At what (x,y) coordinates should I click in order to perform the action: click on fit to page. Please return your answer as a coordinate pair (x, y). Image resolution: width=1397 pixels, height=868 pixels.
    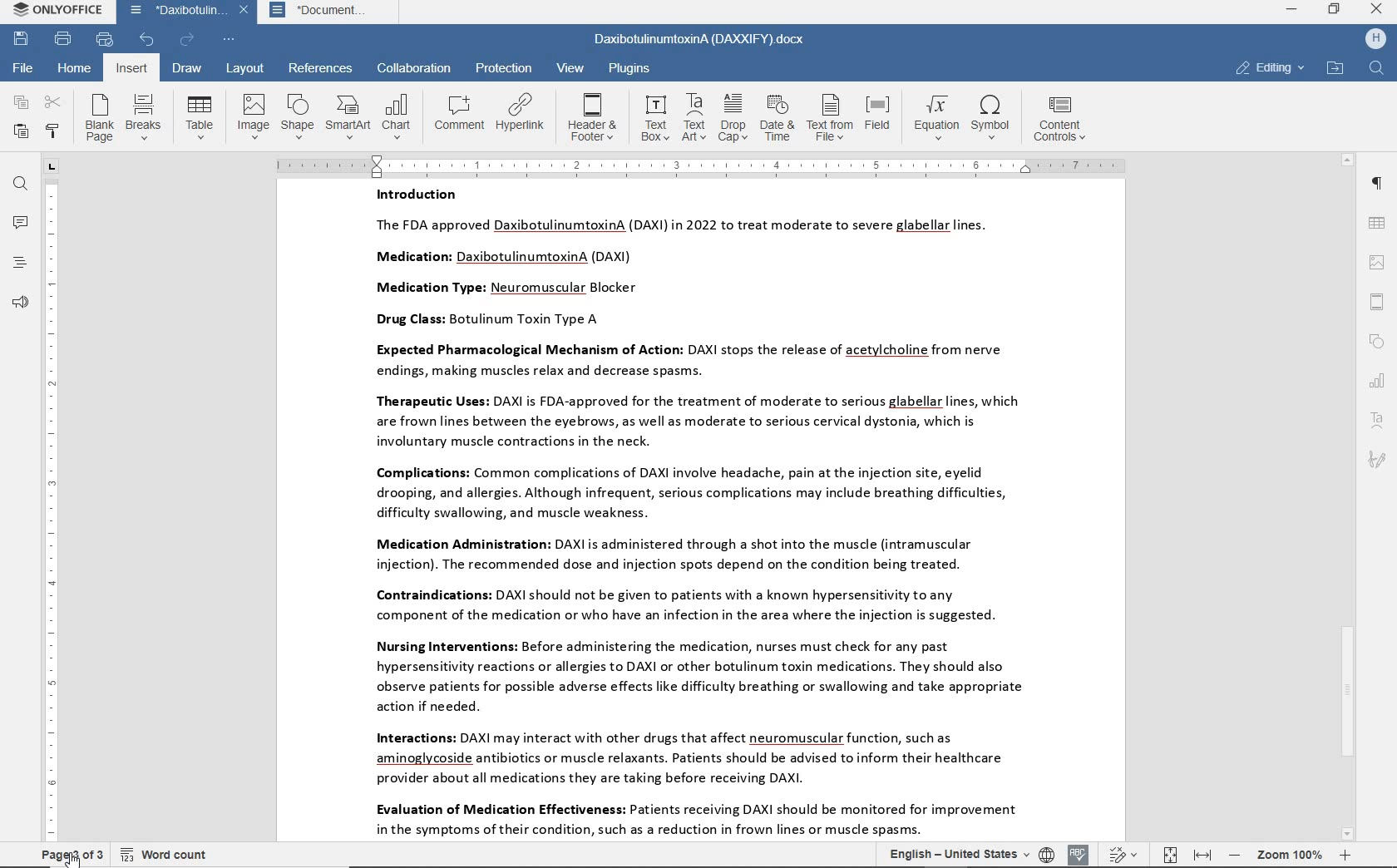
    Looking at the image, I should click on (1169, 855).